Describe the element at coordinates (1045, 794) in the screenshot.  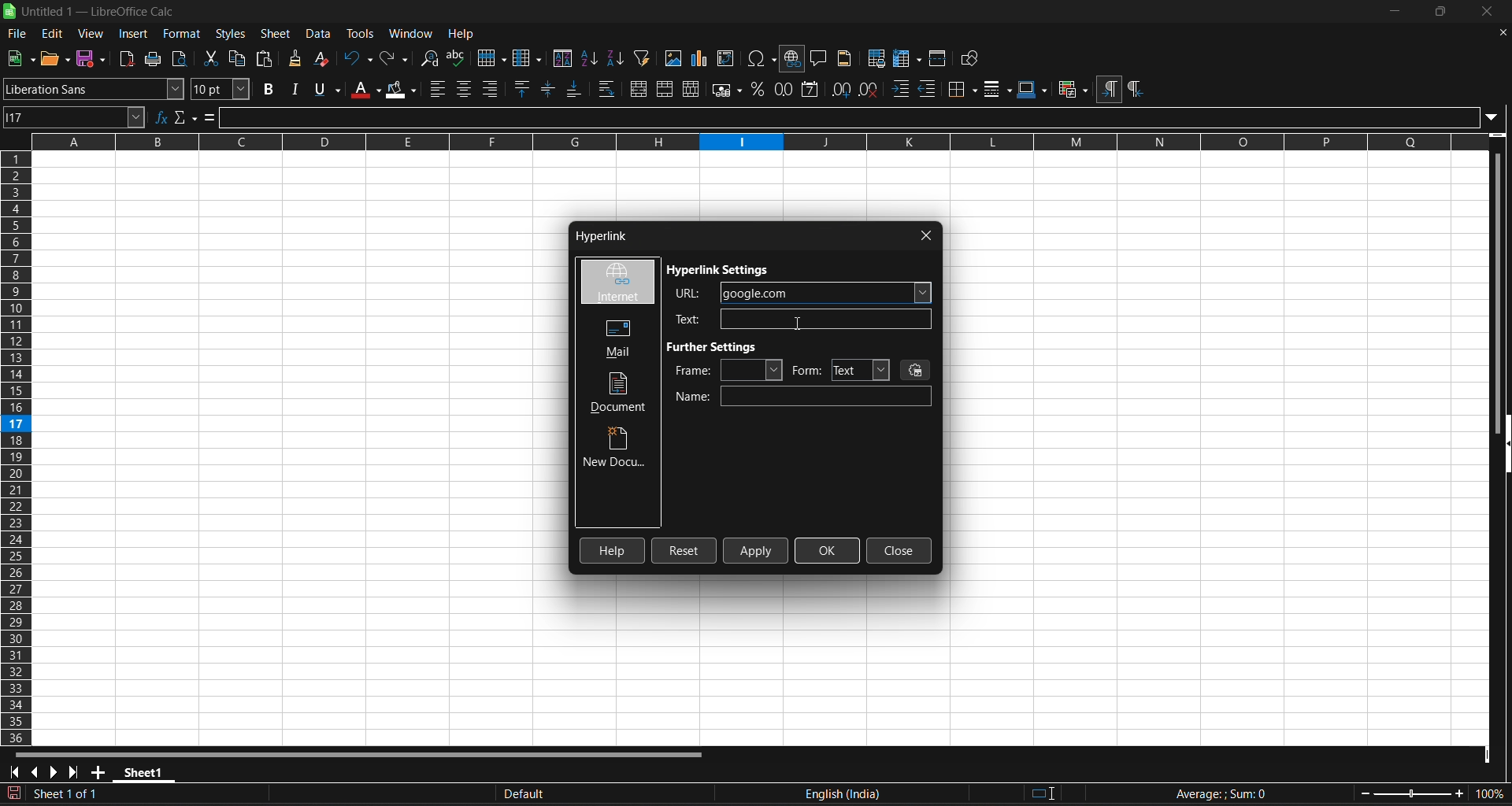
I see `standard selection` at that location.